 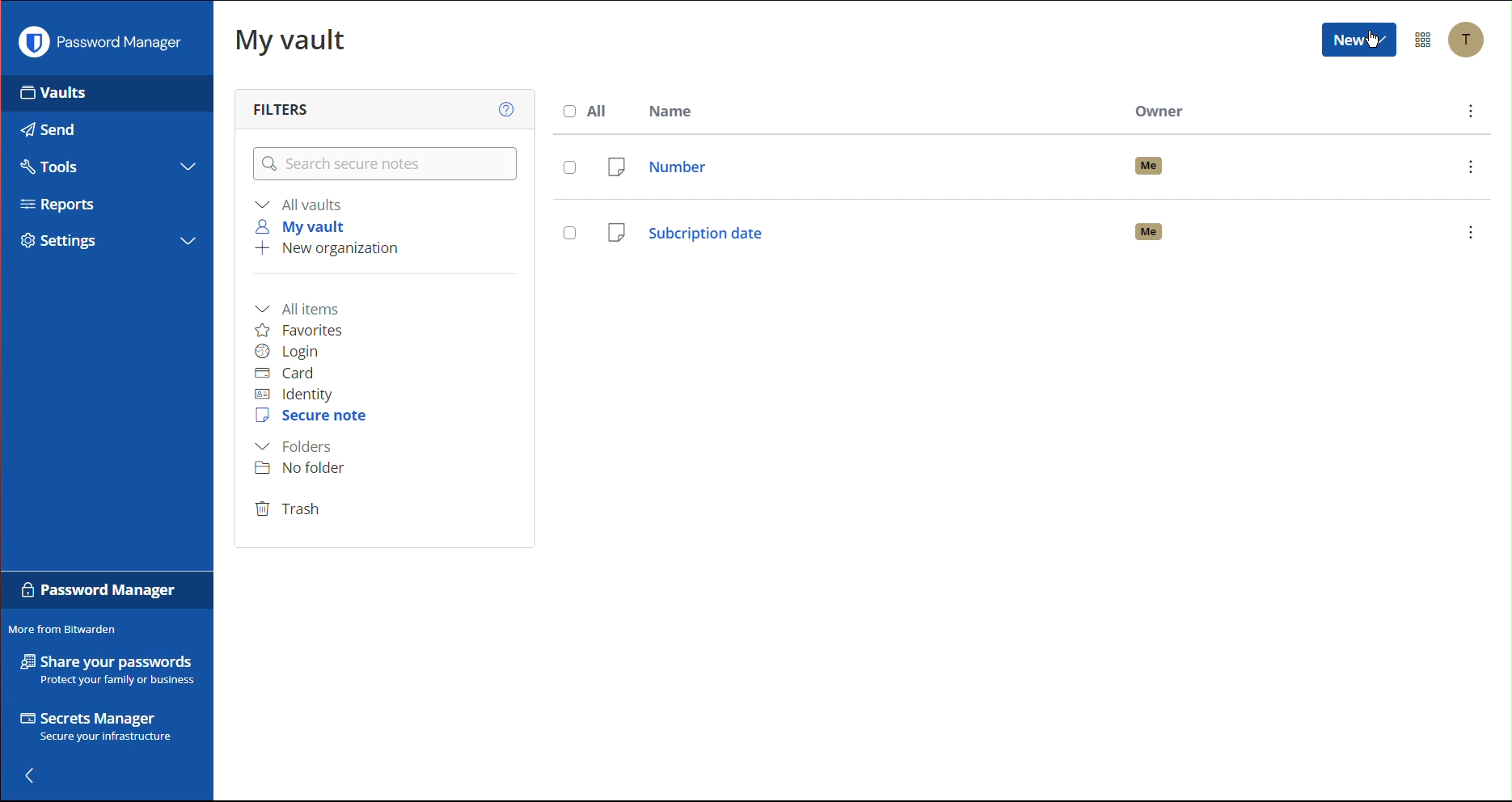 I want to click on Share your passwords, so click(x=103, y=670).